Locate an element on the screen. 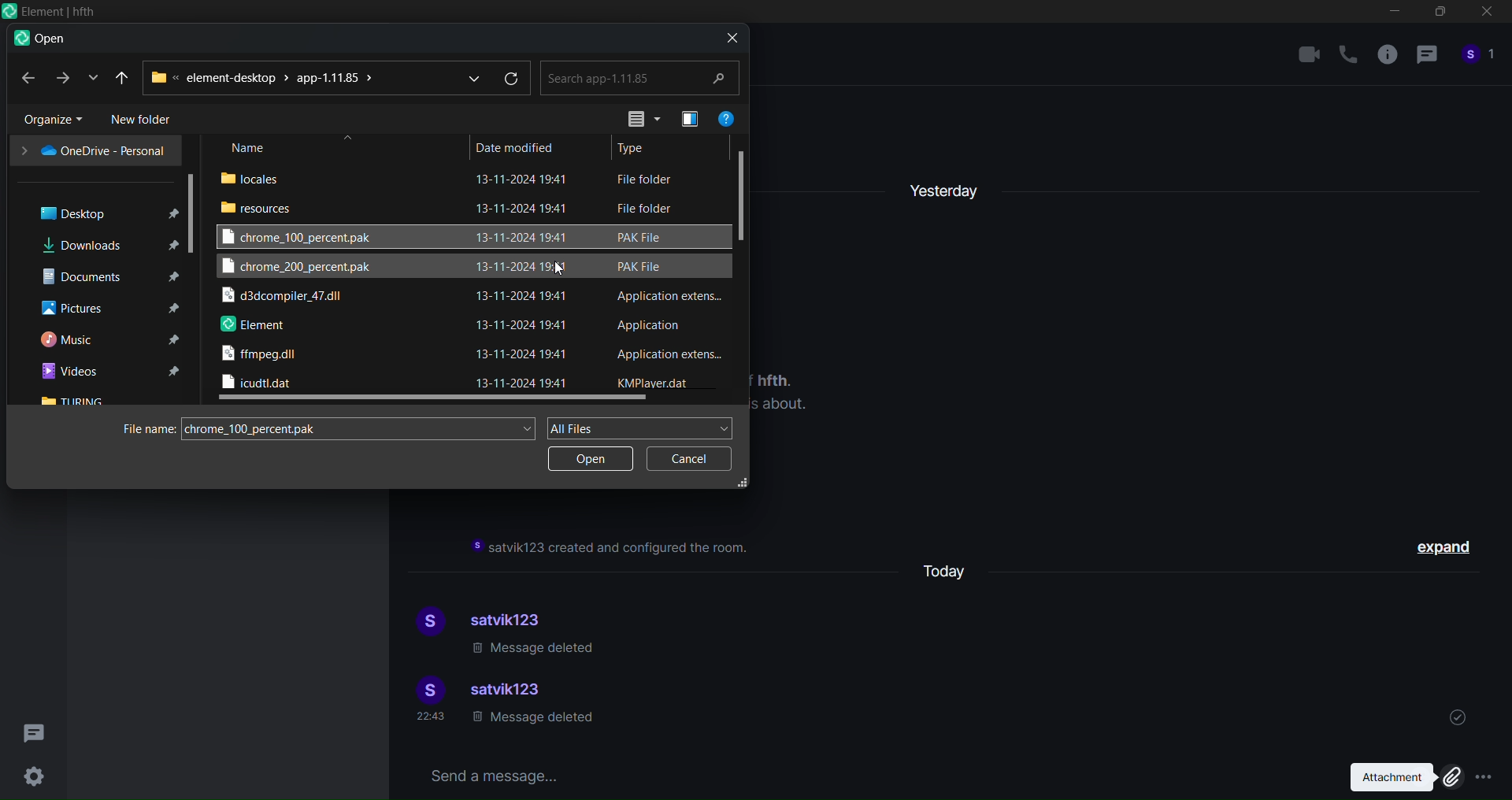  search is located at coordinates (641, 77).